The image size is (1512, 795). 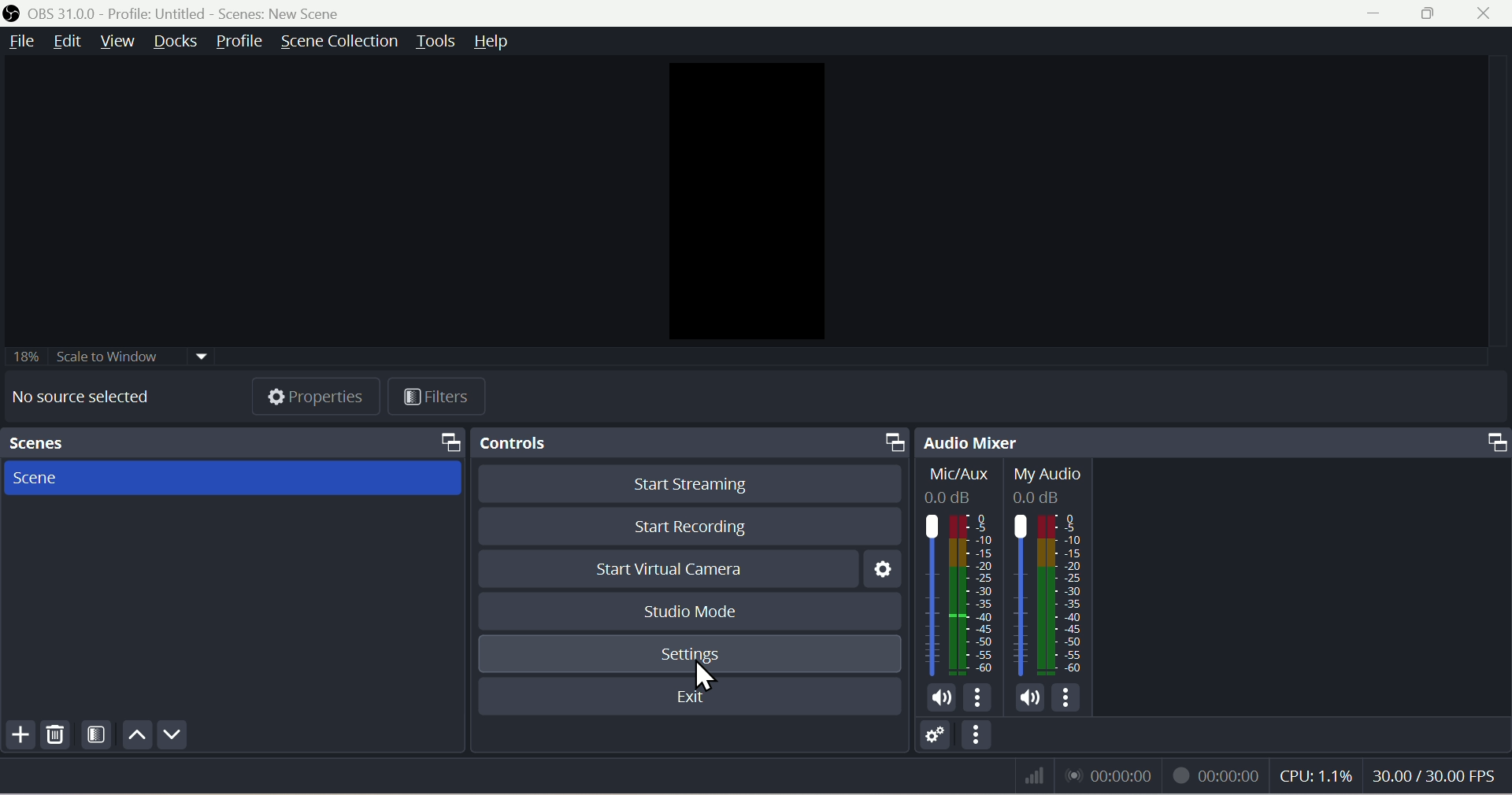 What do you see at coordinates (1440, 776) in the screenshot?
I see `30.00 FPS` at bounding box center [1440, 776].